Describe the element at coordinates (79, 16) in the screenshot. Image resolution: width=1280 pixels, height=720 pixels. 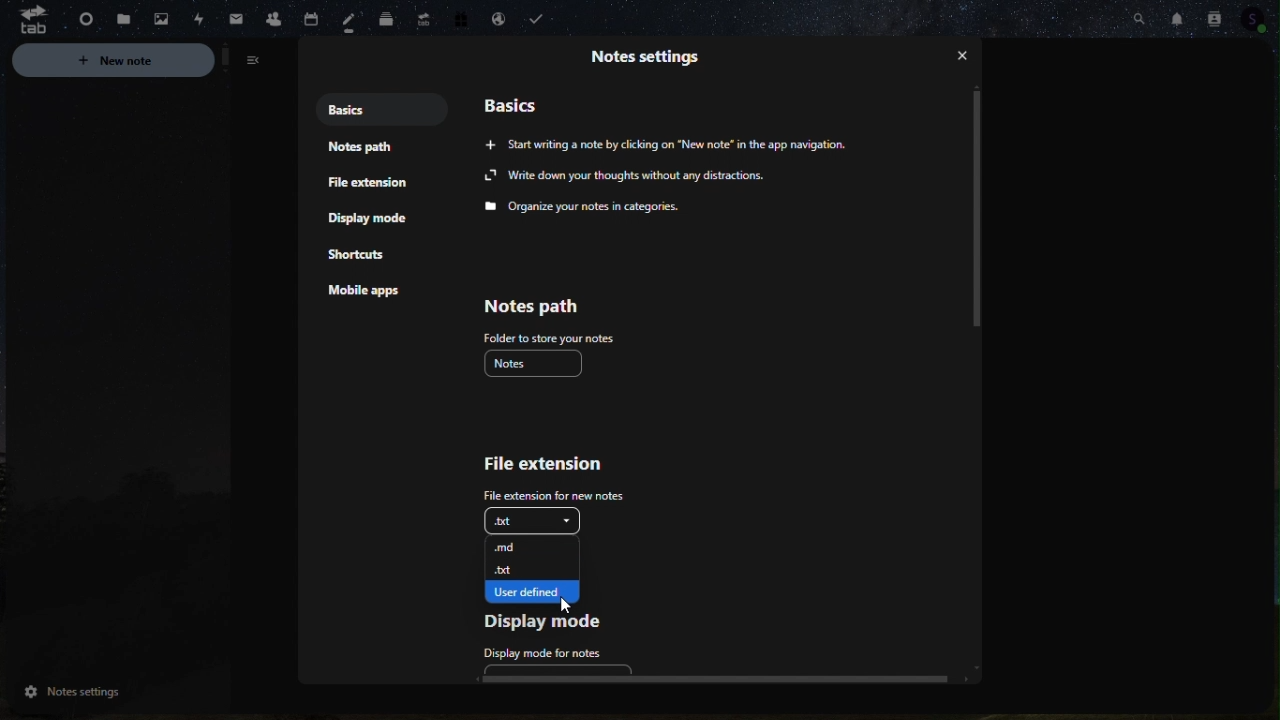
I see `dashboard` at that location.